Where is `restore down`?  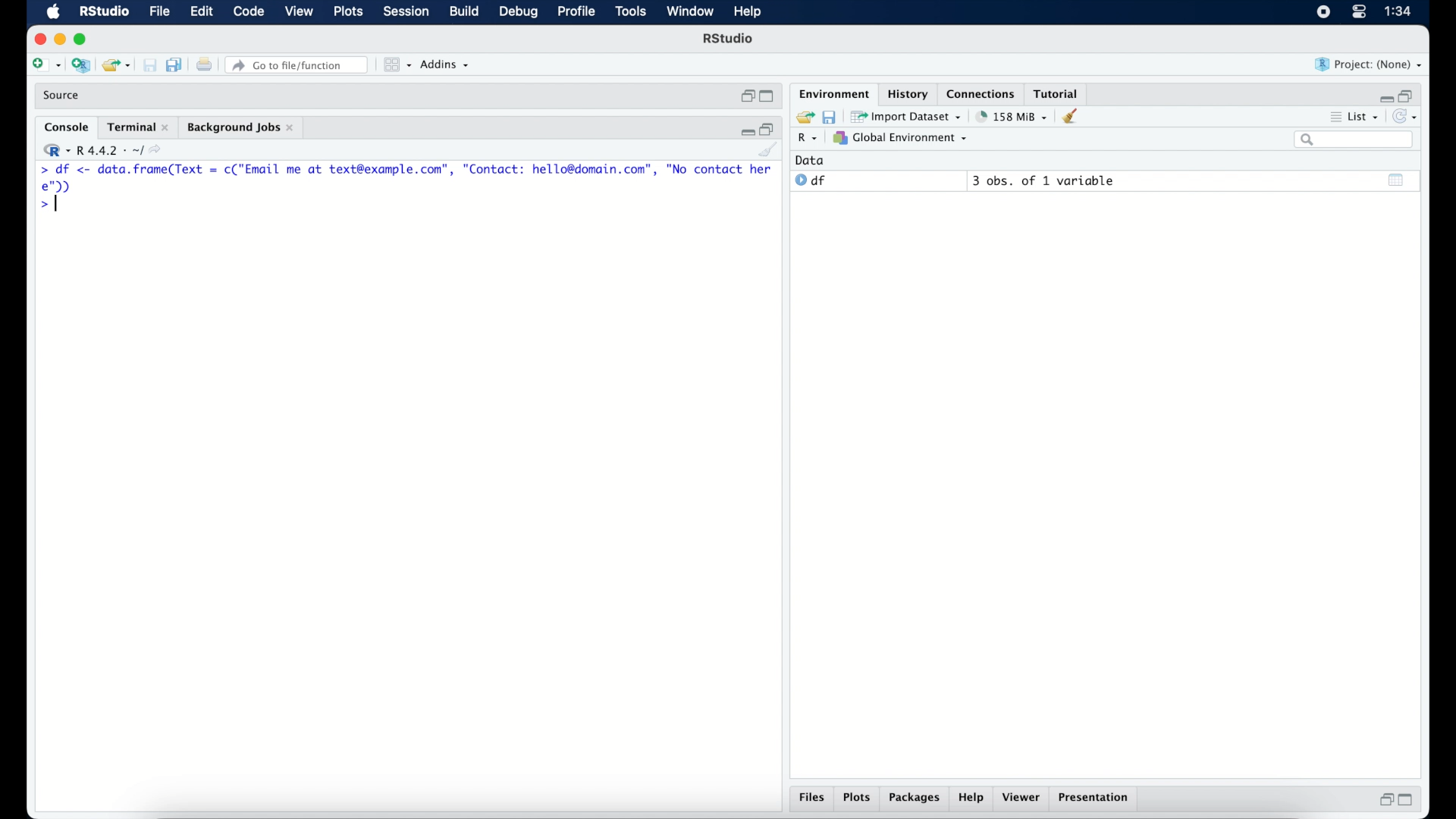 restore down is located at coordinates (1412, 96).